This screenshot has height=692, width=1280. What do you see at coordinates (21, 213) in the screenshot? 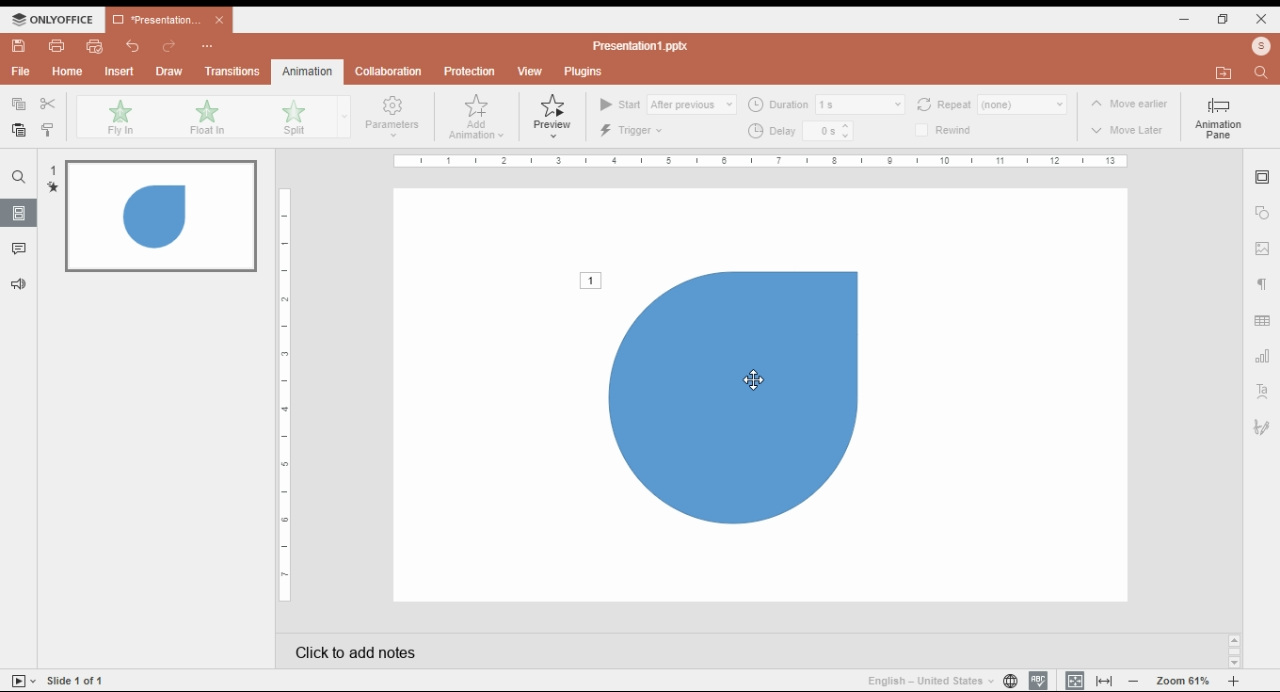
I see `slides` at bounding box center [21, 213].